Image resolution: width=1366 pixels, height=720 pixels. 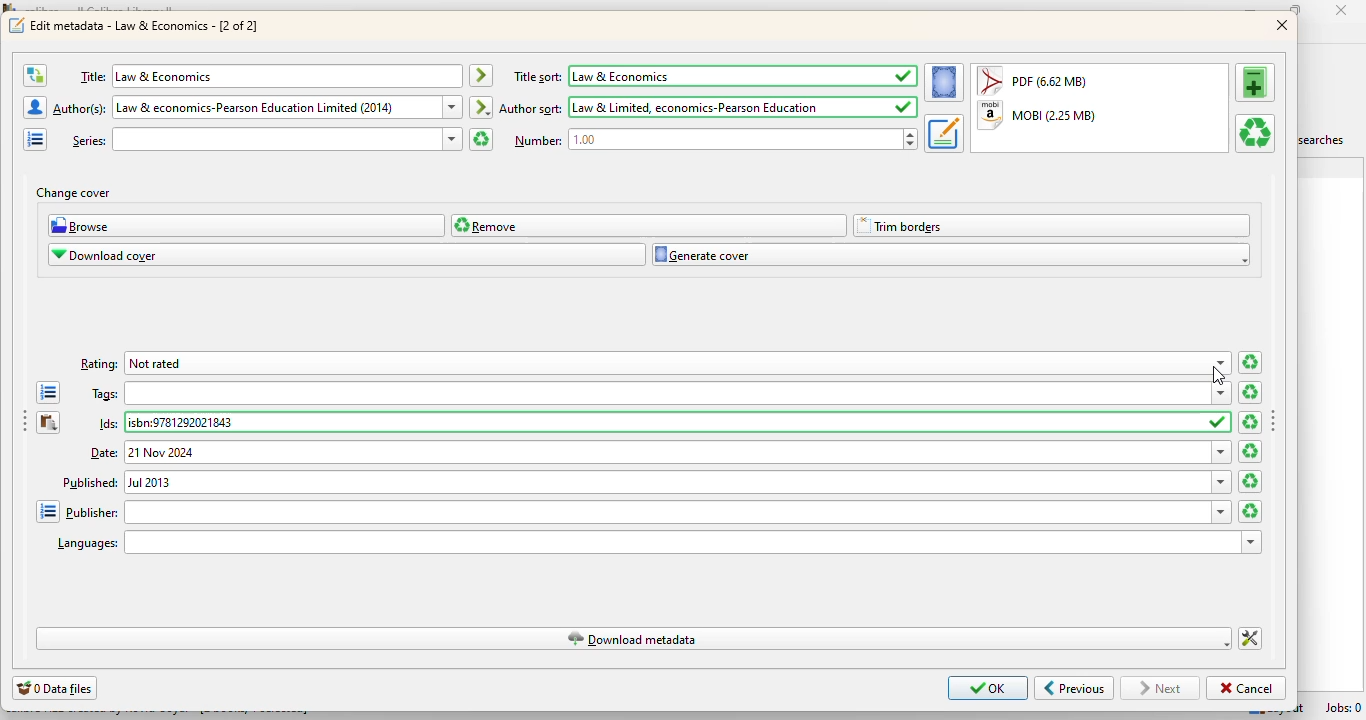 What do you see at coordinates (1036, 80) in the screenshot?
I see `PDF (6.62 MB) ` at bounding box center [1036, 80].